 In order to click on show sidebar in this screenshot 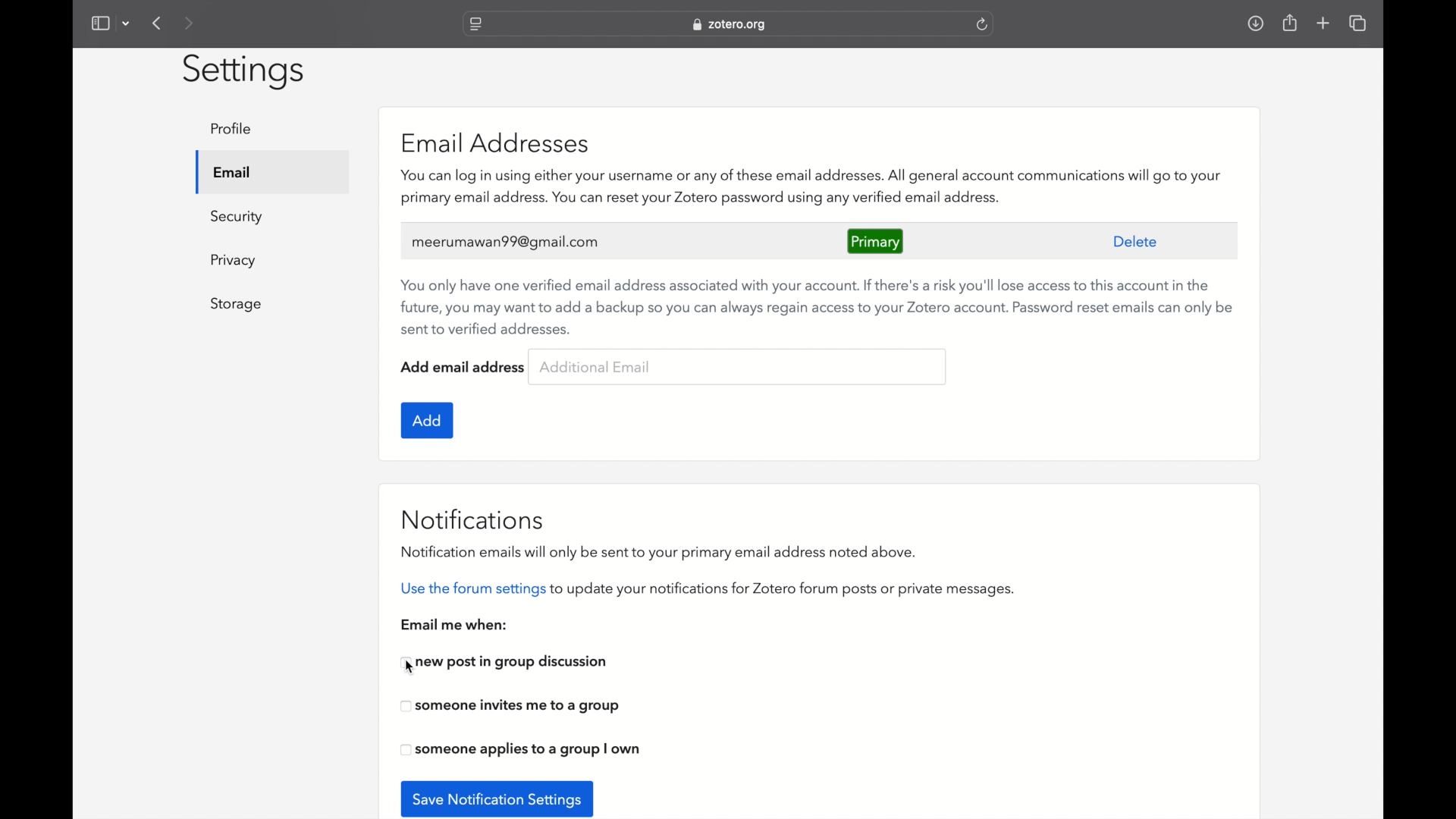, I will do `click(99, 23)`.